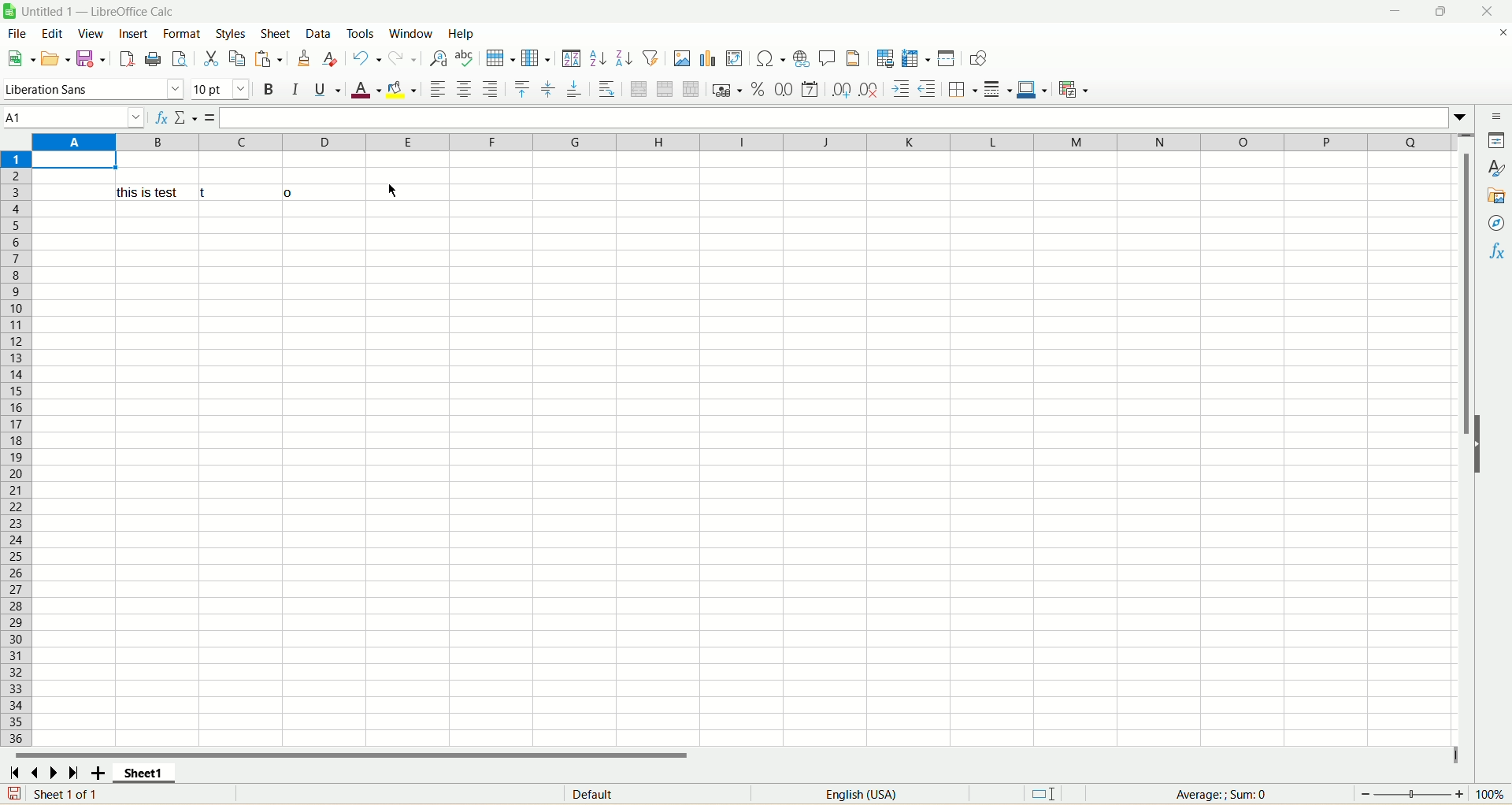 The width and height of the screenshot is (1512, 805). What do you see at coordinates (825, 58) in the screenshot?
I see `insert comment` at bounding box center [825, 58].